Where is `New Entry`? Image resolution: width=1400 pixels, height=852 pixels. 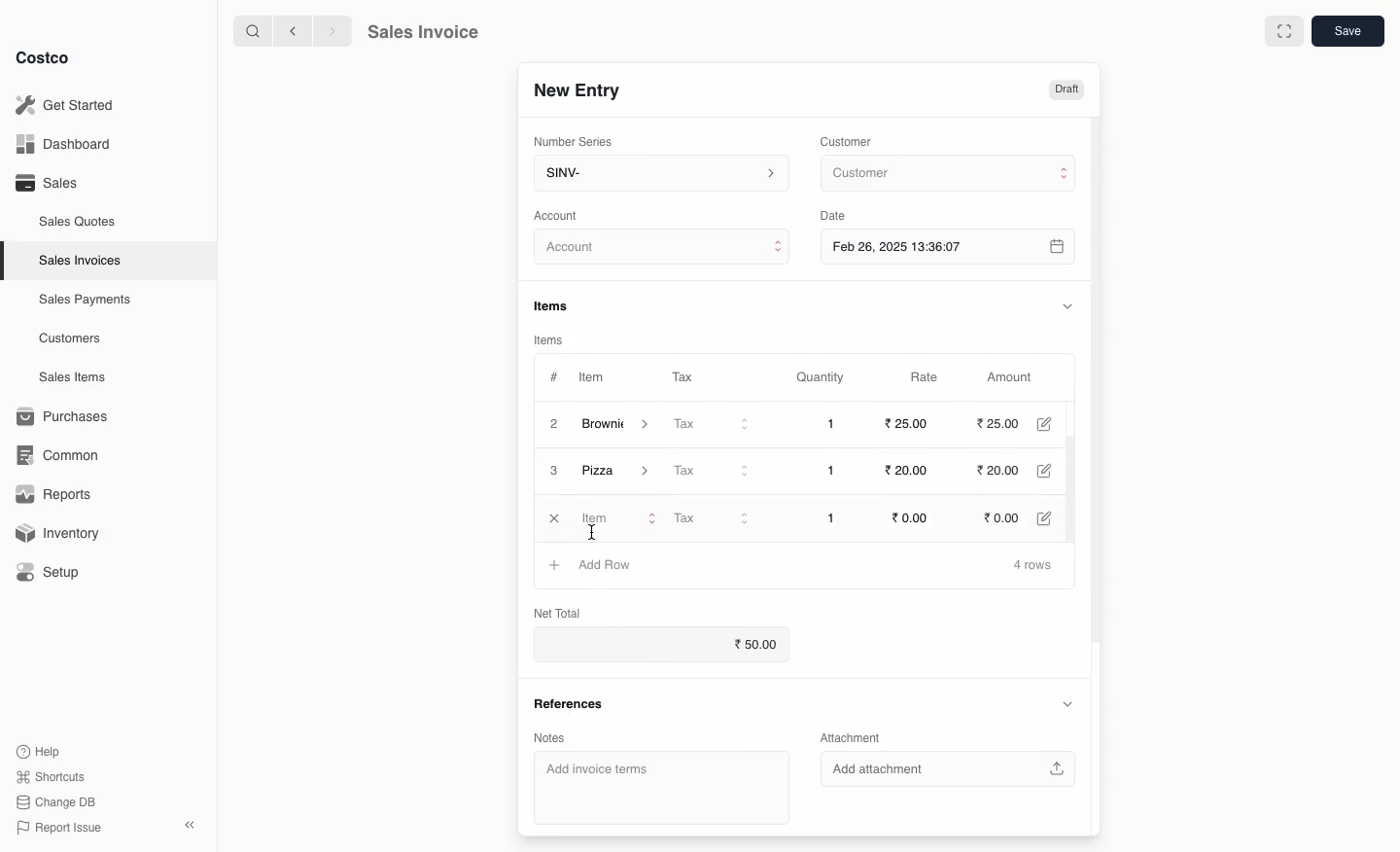 New Entry is located at coordinates (576, 89).